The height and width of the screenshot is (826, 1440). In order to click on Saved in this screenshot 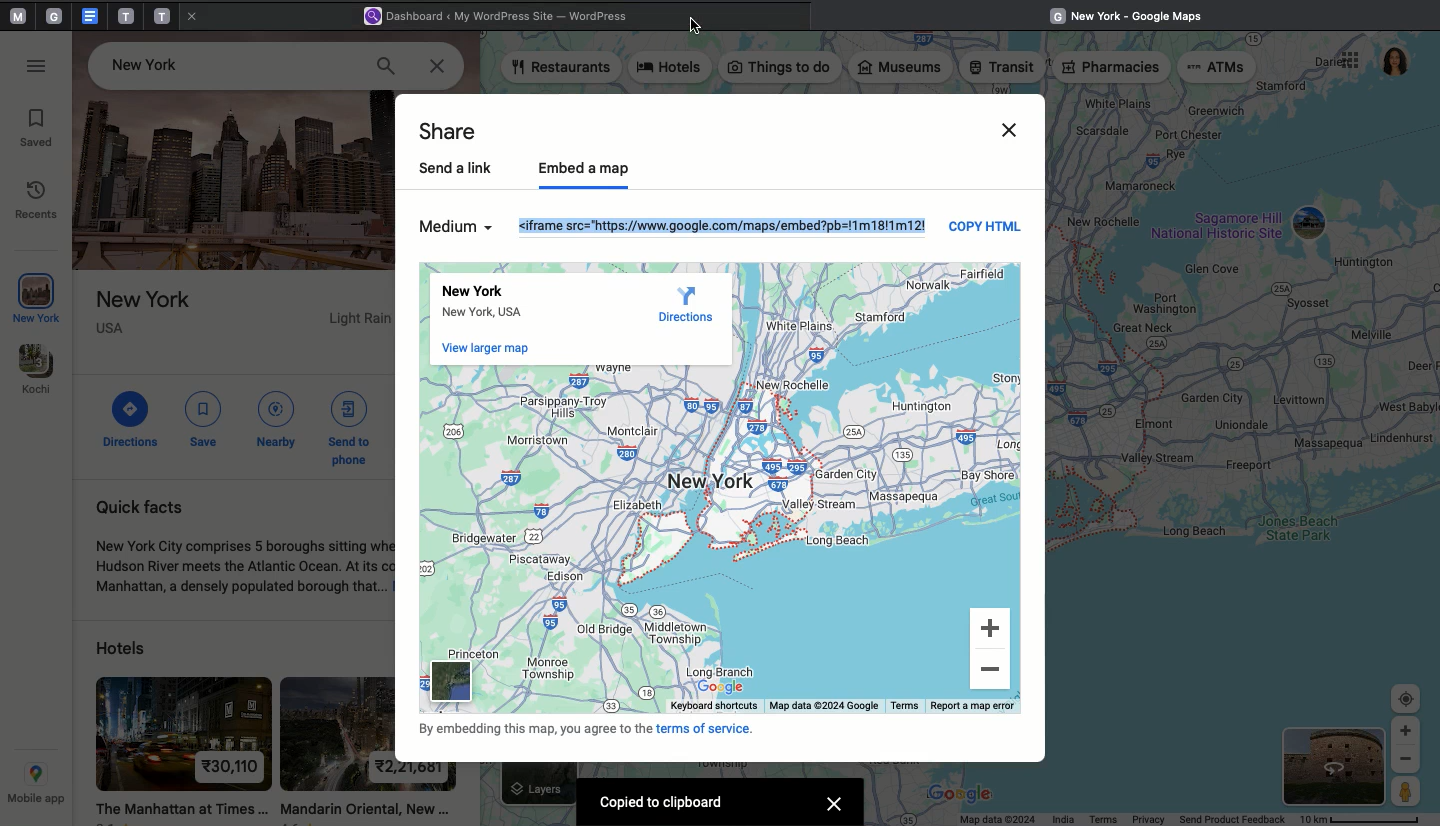, I will do `click(39, 129)`.